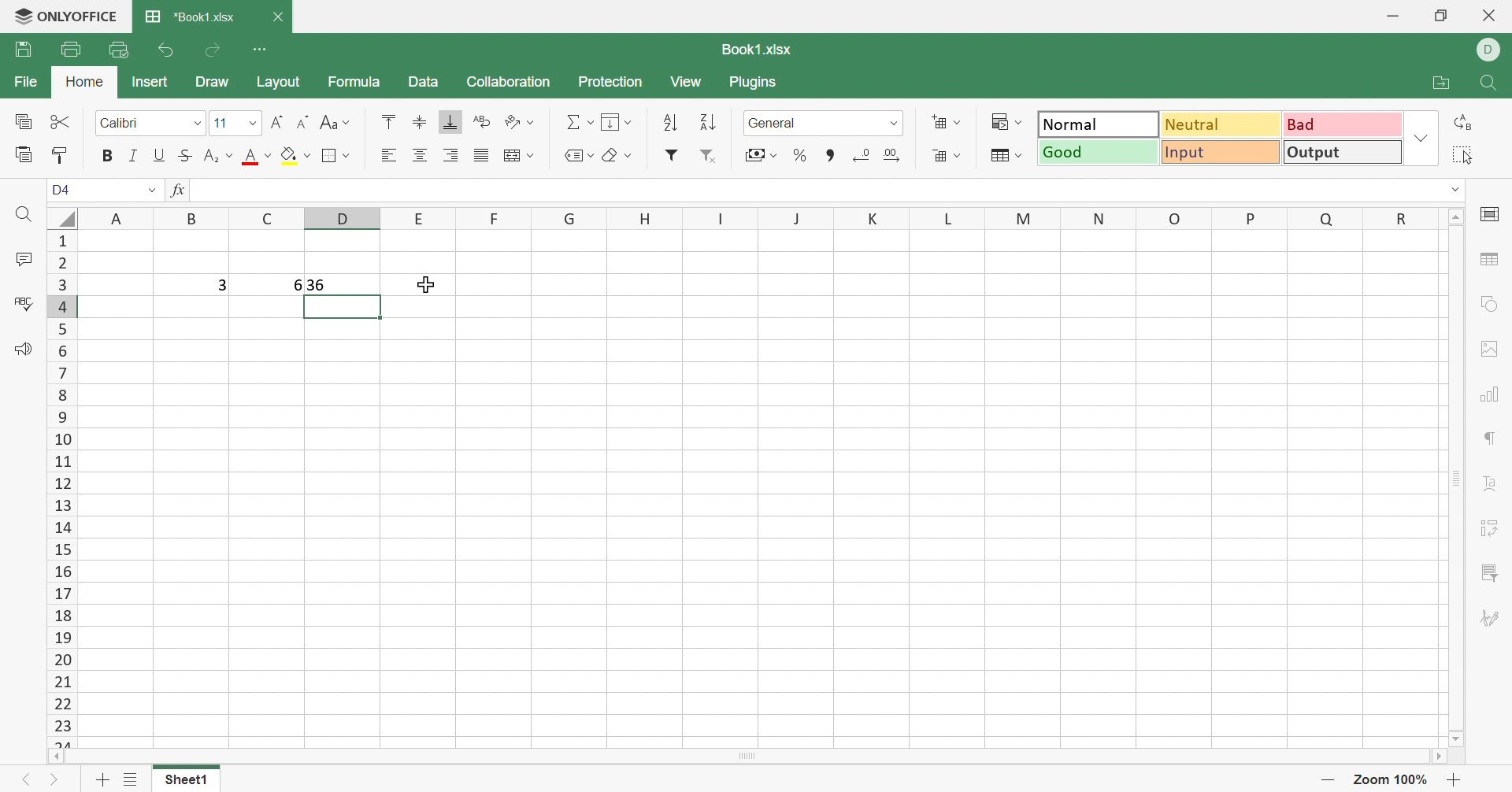 This screenshot has height=792, width=1512. I want to click on Wrap text, so click(478, 122).